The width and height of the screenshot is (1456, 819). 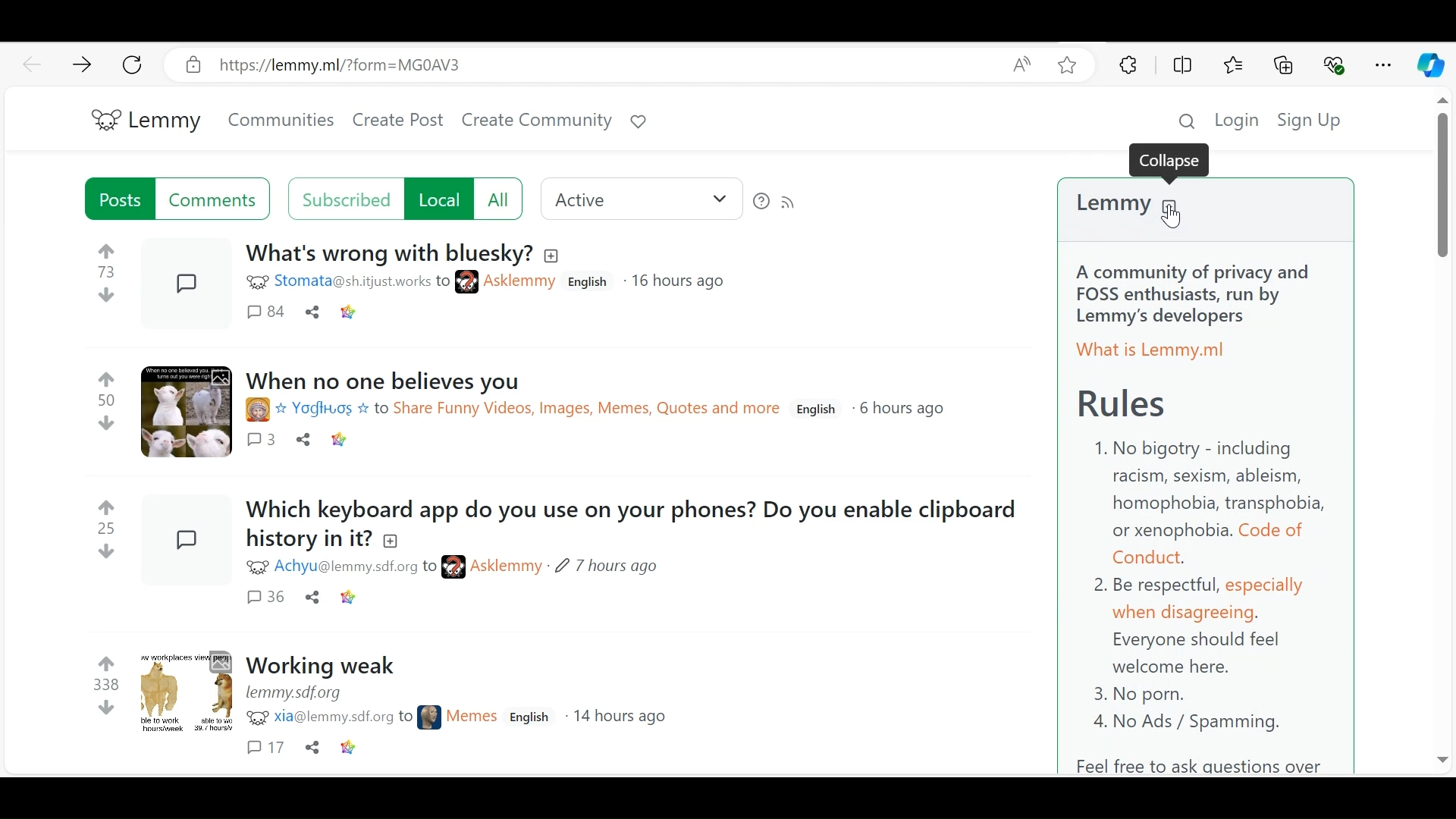 I want to click on Share, so click(x=312, y=598).